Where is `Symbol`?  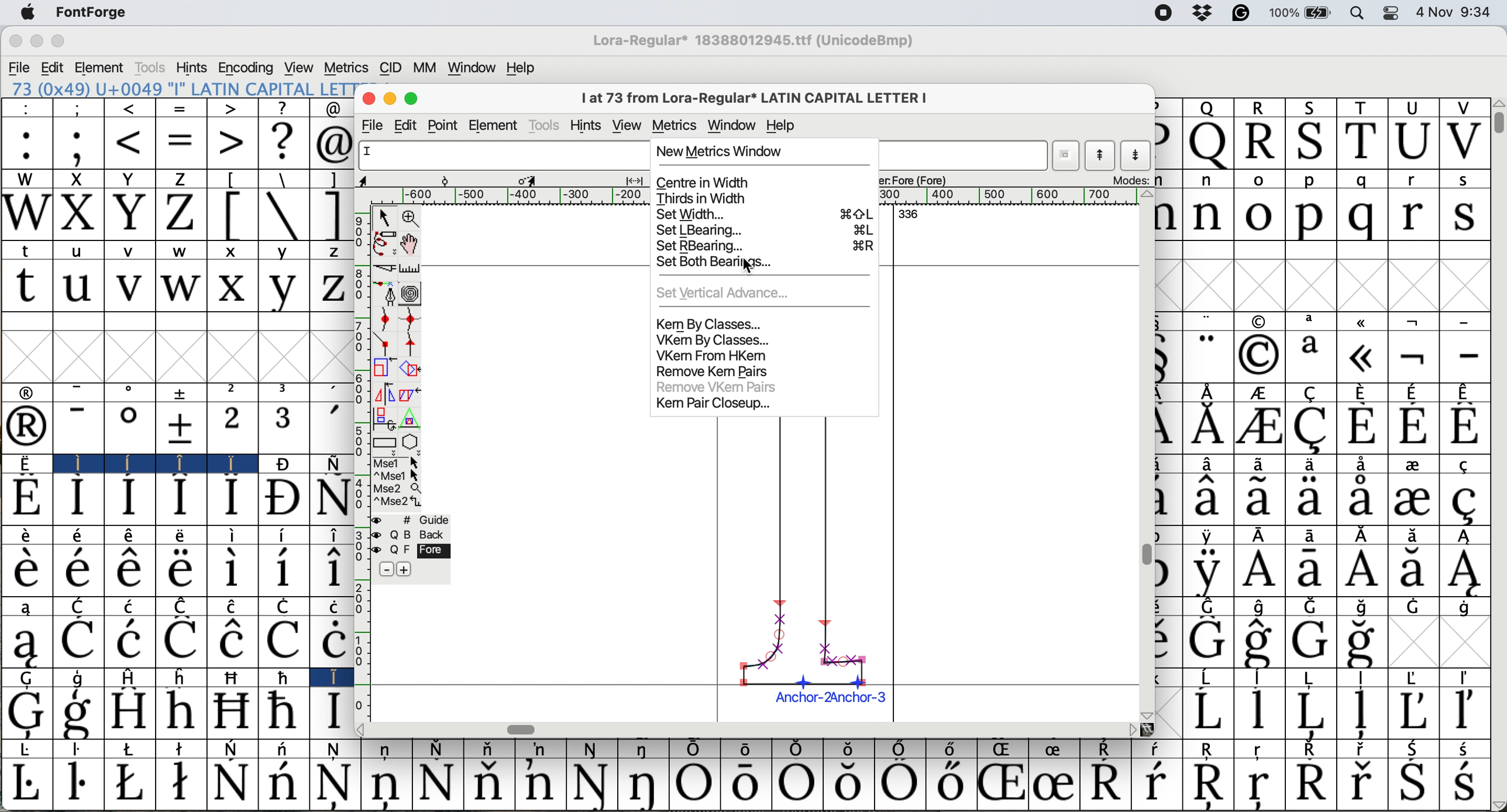
Symbol is located at coordinates (1205, 426).